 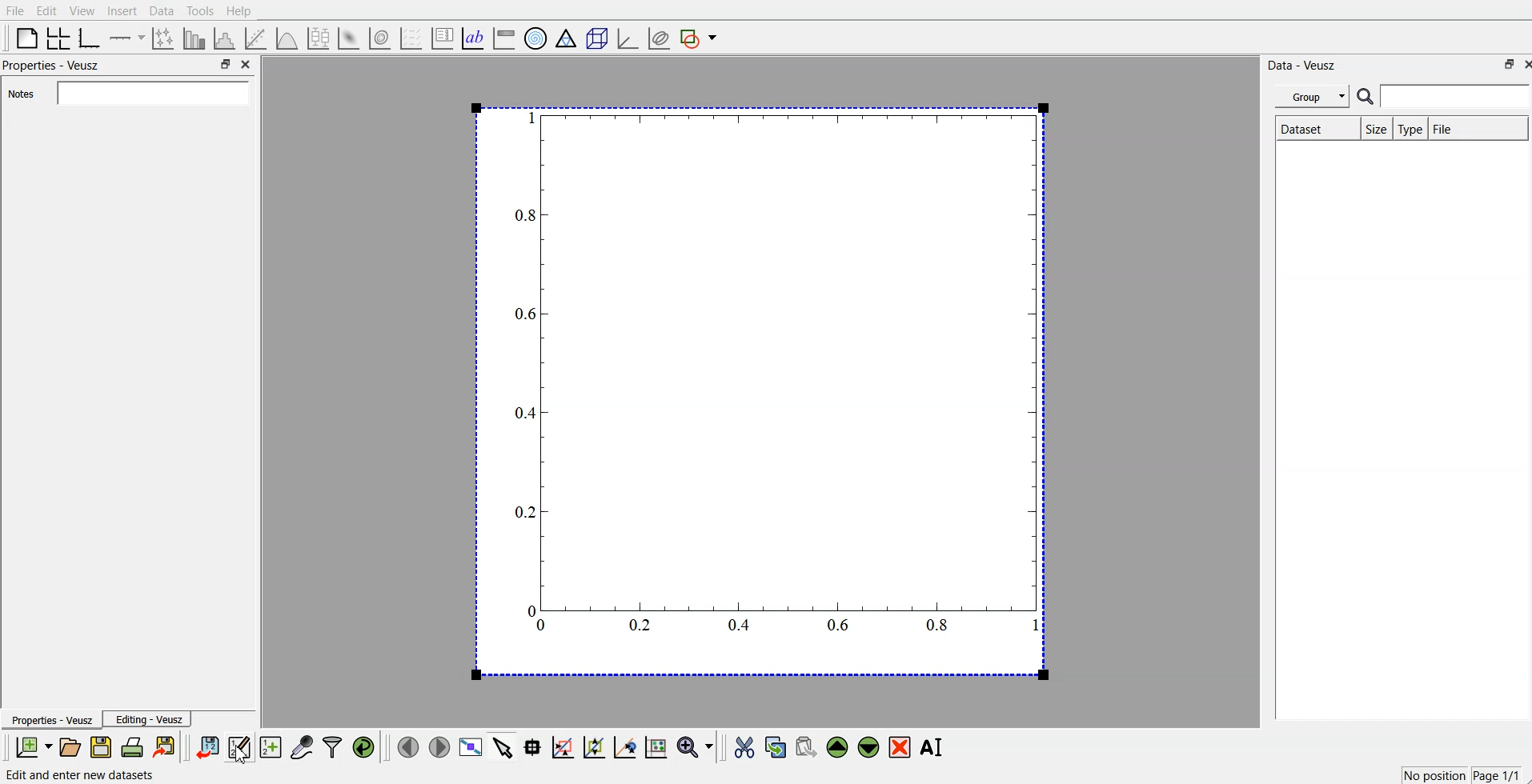 I want to click on Insert, so click(x=122, y=10).